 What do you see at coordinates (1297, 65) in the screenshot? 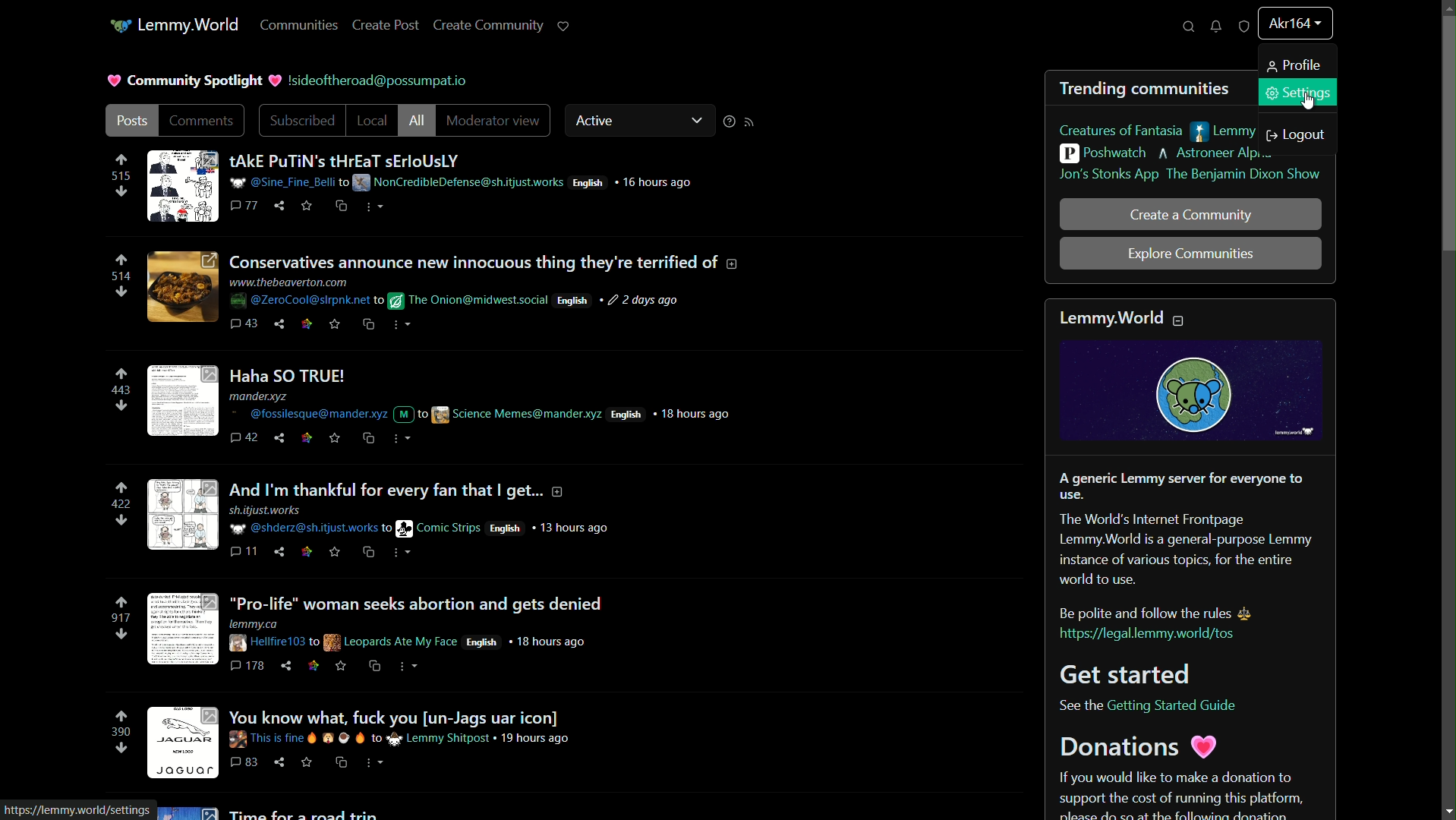
I see `profile` at bounding box center [1297, 65].